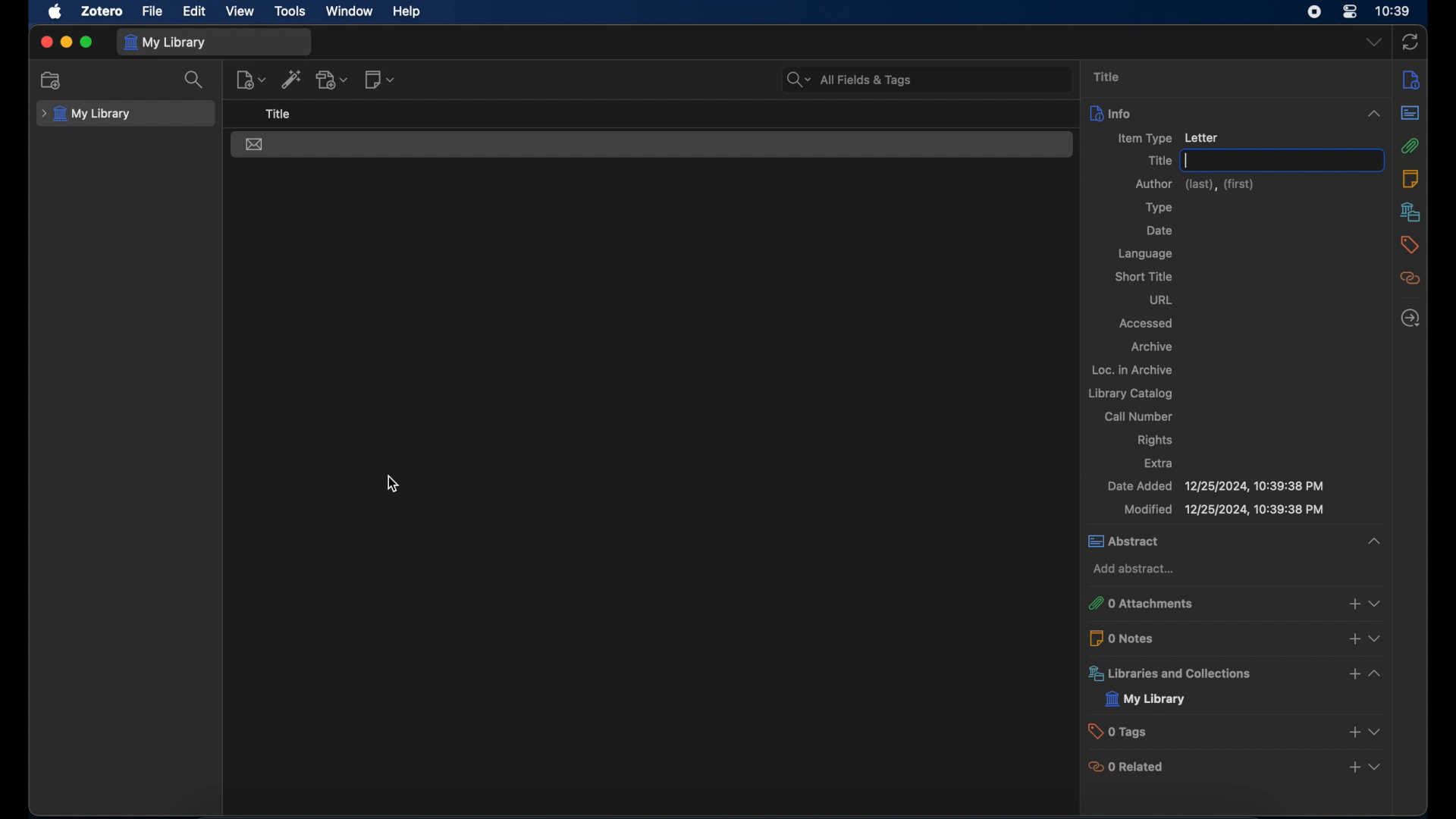  I want to click on maximize, so click(87, 42).